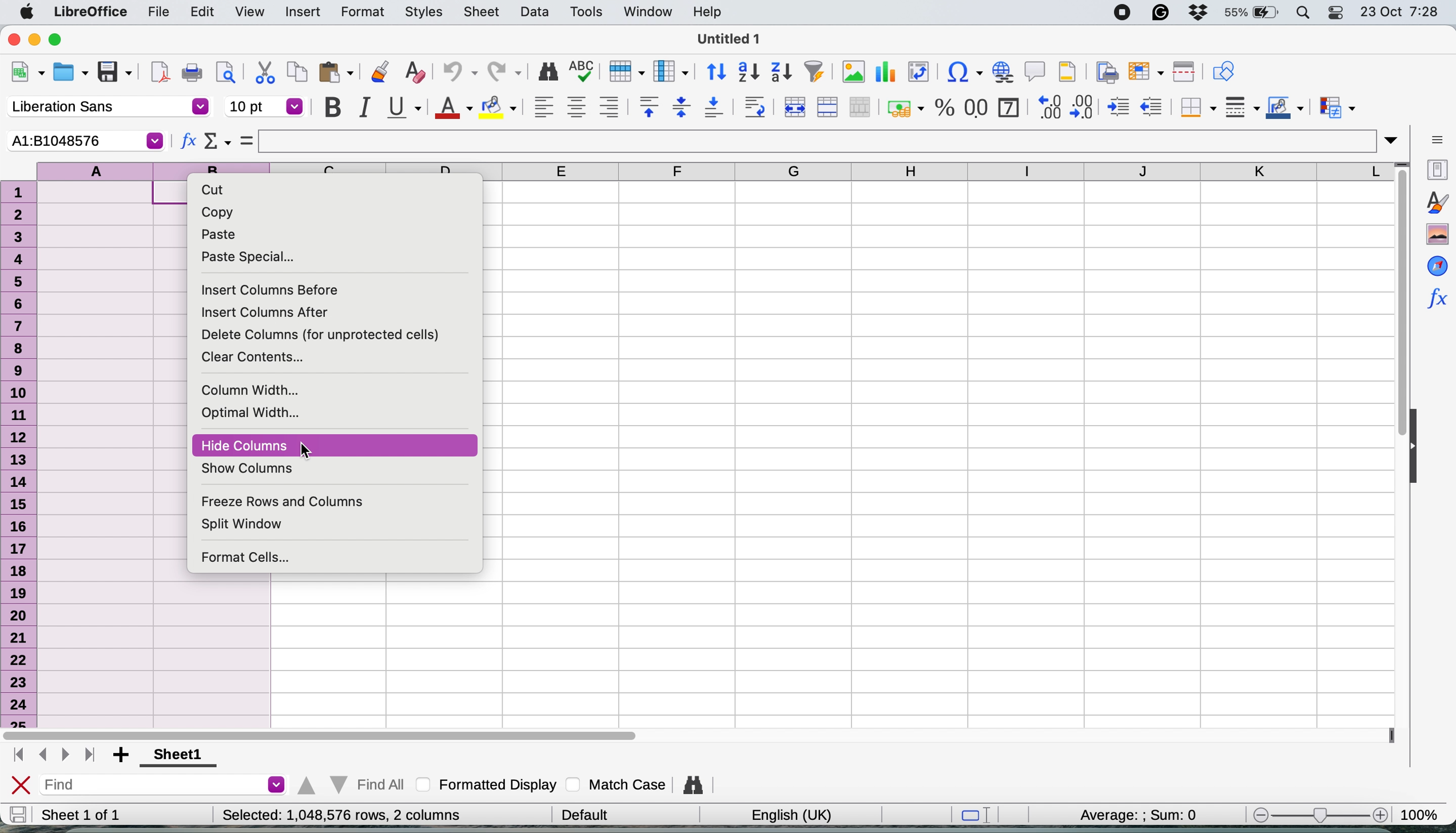 The height and width of the screenshot is (833, 1456). I want to click on gallery, so click(1435, 233).